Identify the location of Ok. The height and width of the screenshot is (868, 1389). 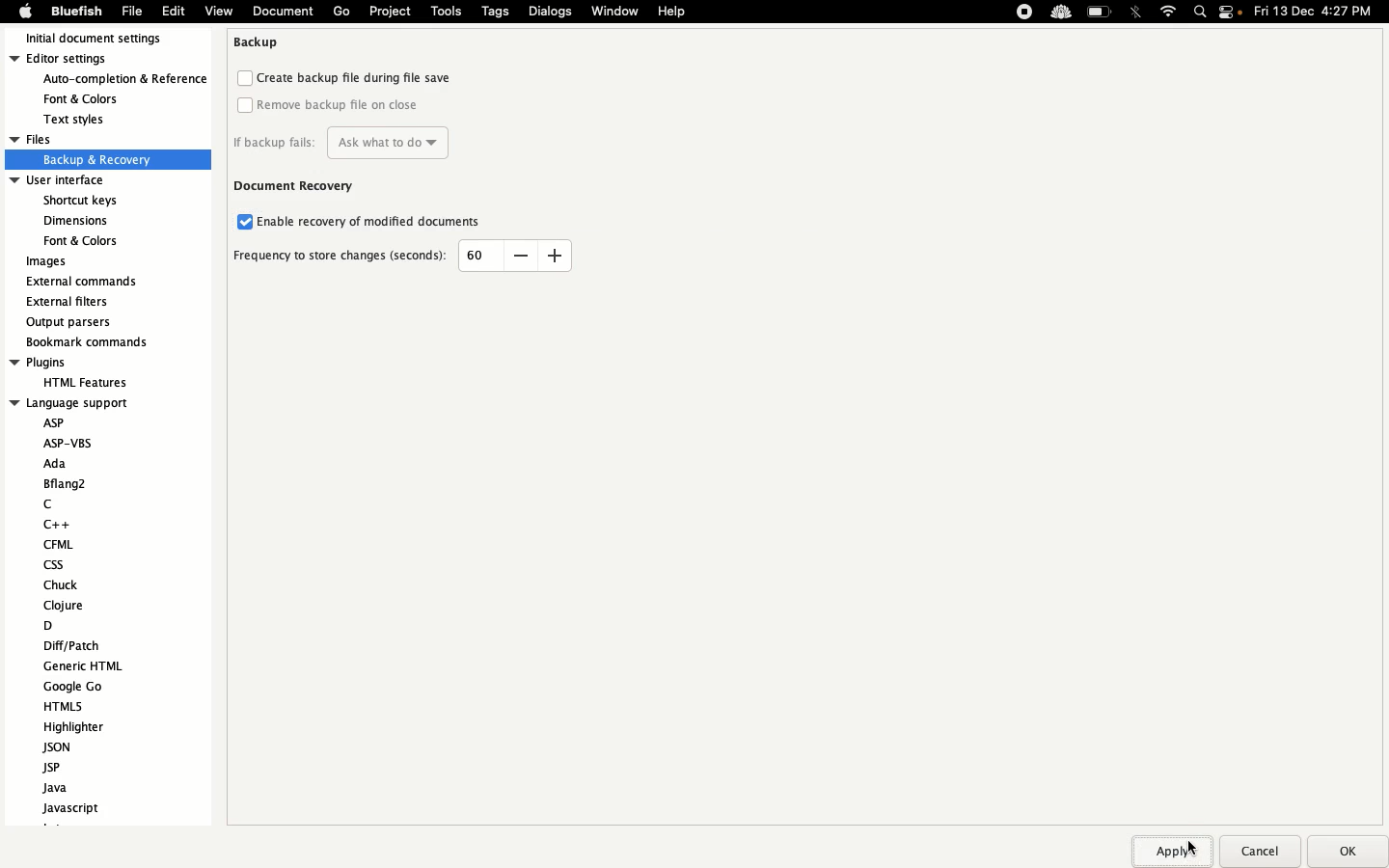
(1347, 852).